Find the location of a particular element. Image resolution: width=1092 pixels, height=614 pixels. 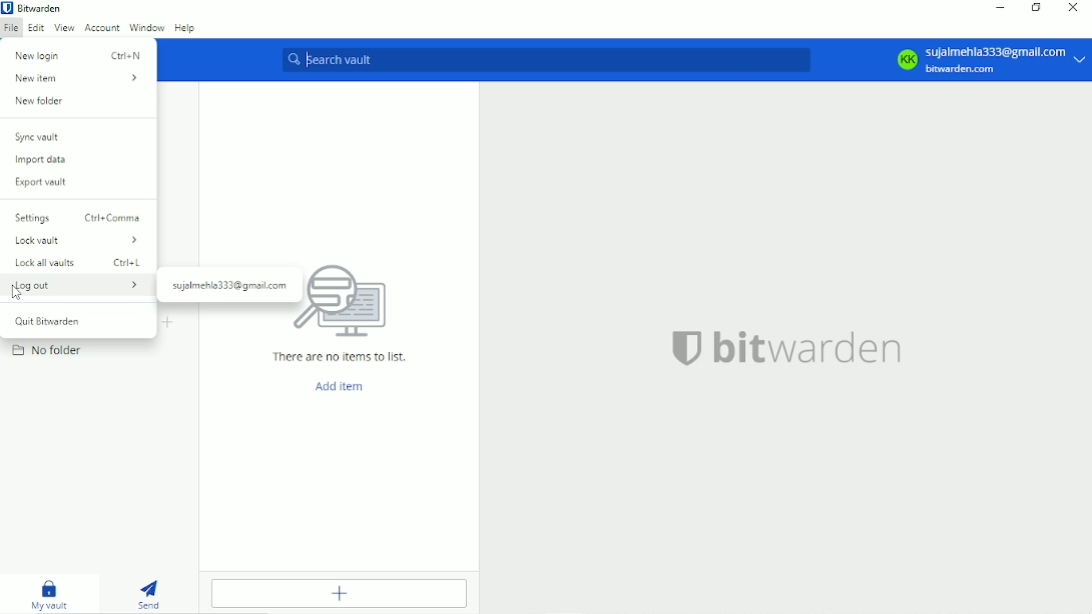

There are no items to list is located at coordinates (340, 357).